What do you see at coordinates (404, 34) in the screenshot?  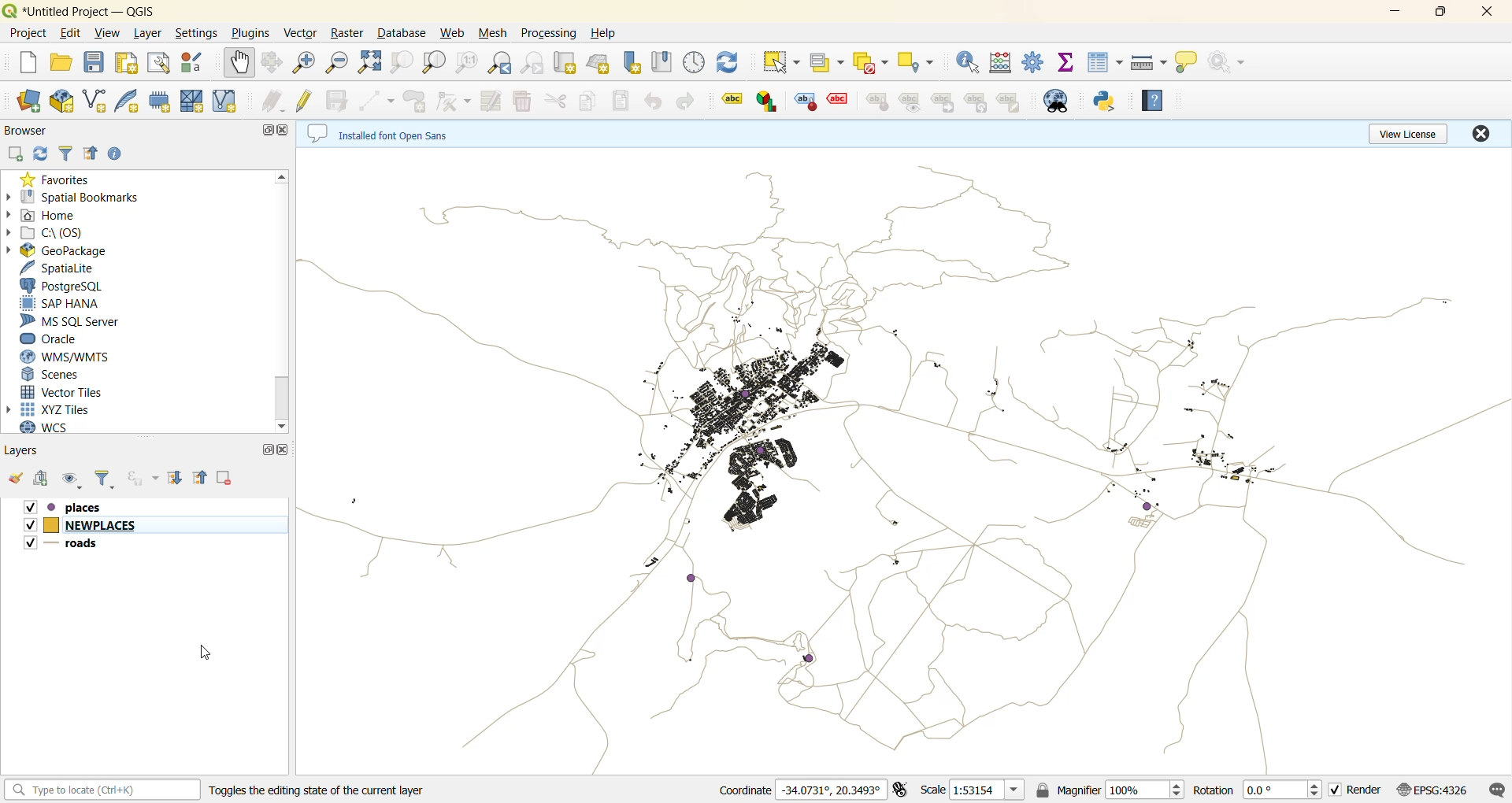 I see `database` at bounding box center [404, 34].